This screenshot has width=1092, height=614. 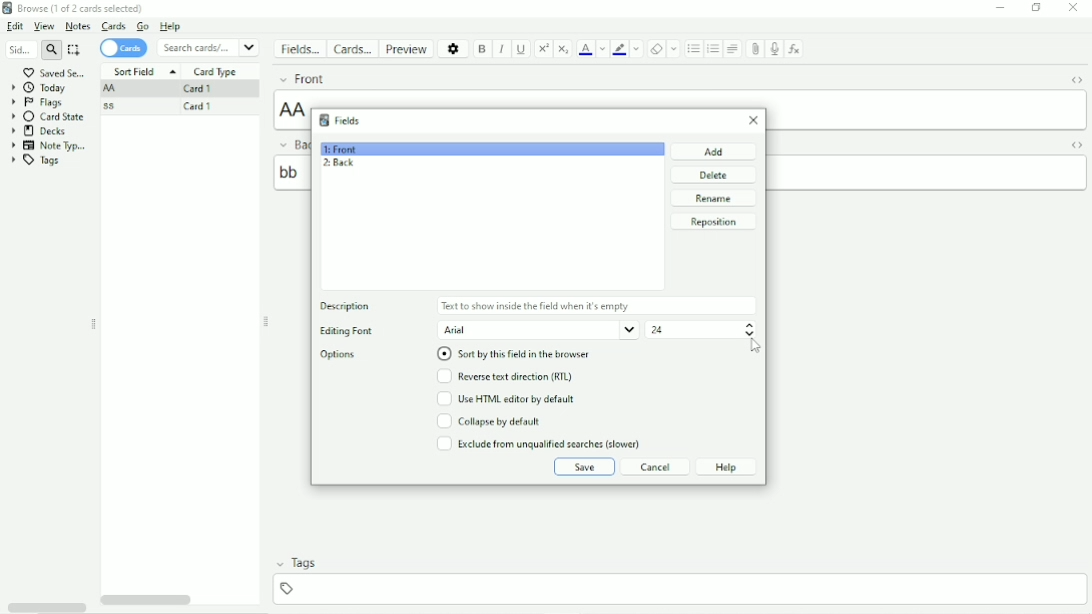 What do you see at coordinates (114, 106) in the screenshot?
I see `ss` at bounding box center [114, 106].